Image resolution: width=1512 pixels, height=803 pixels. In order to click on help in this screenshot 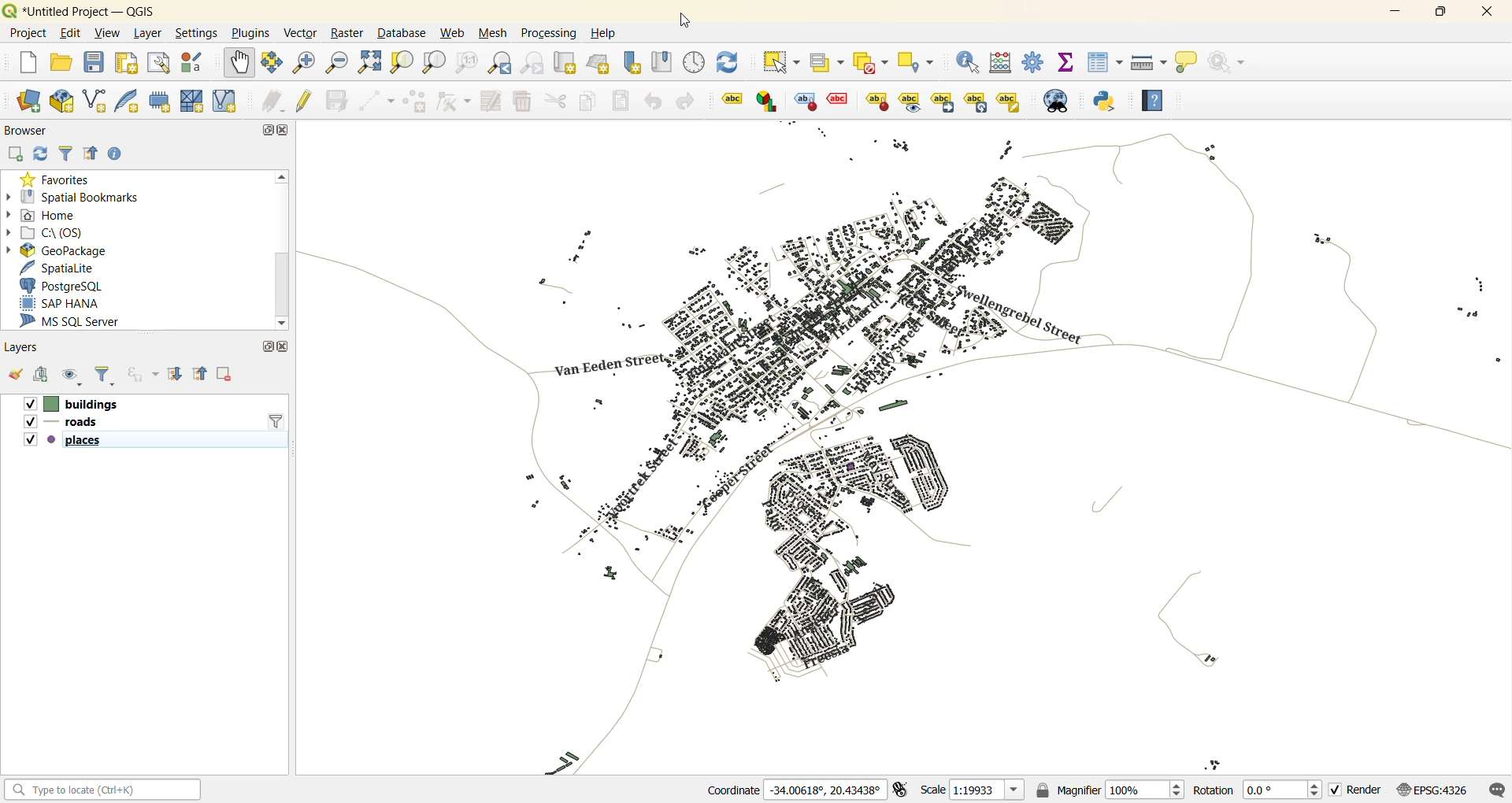, I will do `click(1152, 98)`.